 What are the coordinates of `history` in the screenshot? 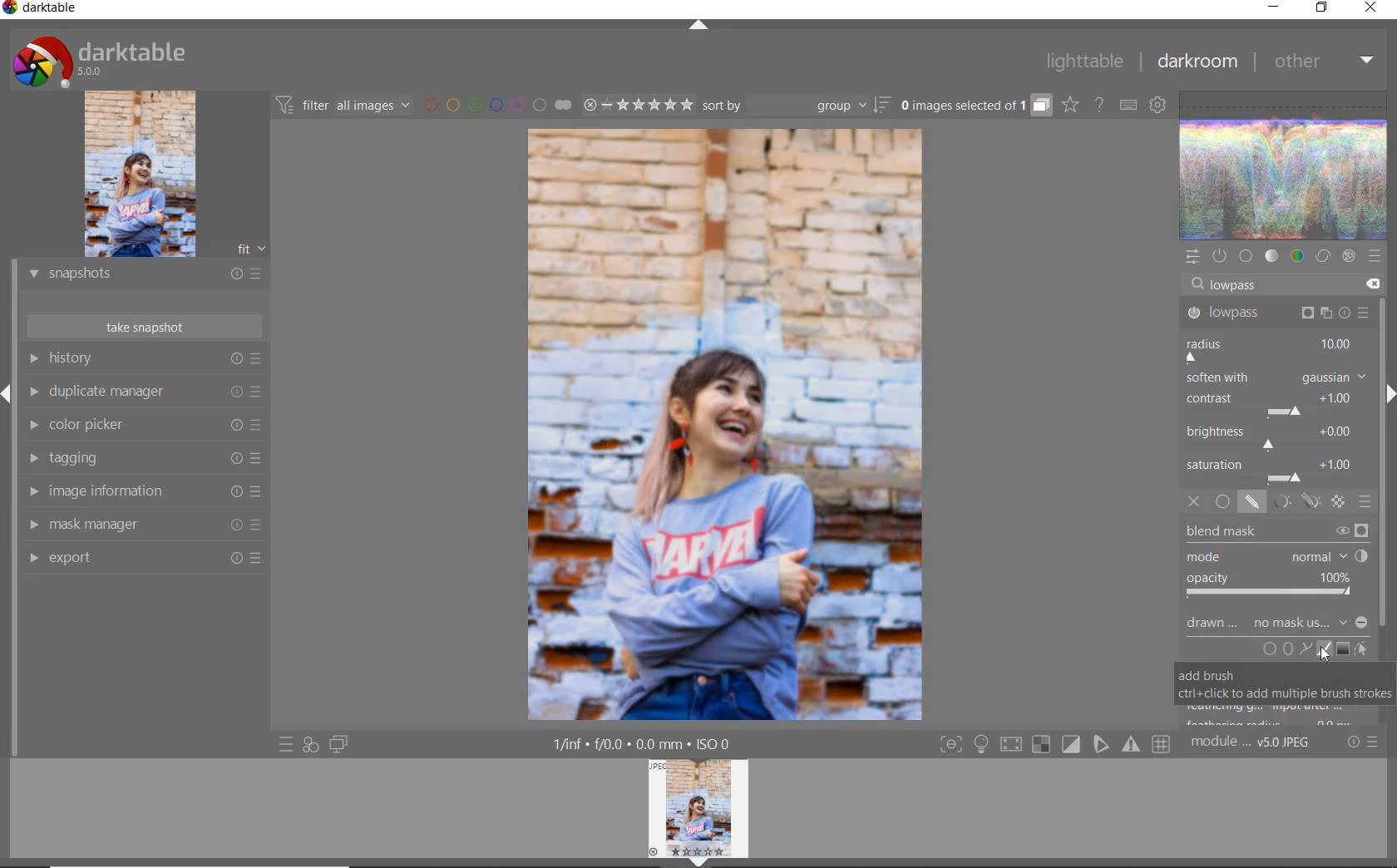 It's located at (150, 359).